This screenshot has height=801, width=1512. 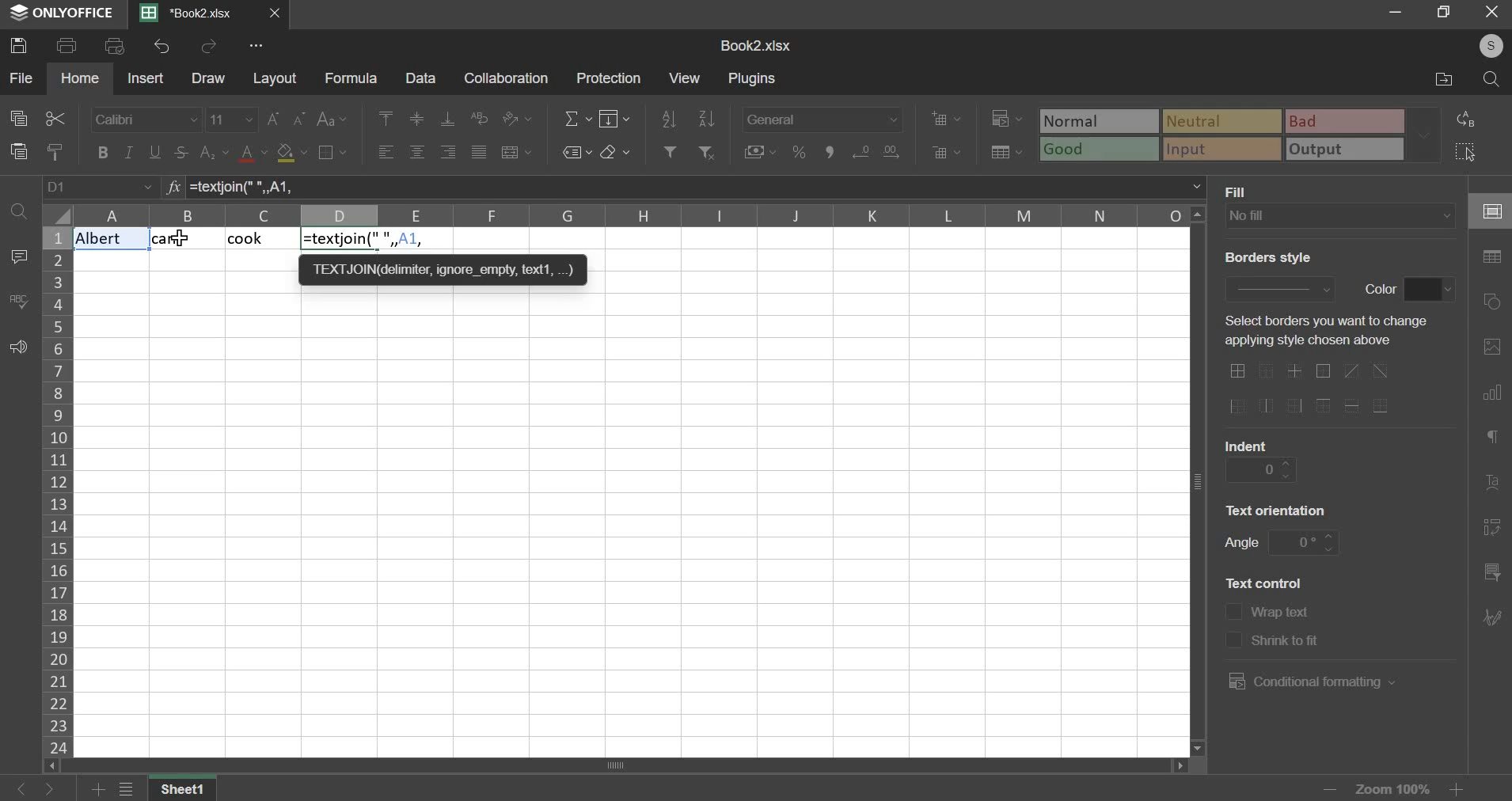 What do you see at coordinates (214, 151) in the screenshot?
I see `subscript & superscript` at bounding box center [214, 151].